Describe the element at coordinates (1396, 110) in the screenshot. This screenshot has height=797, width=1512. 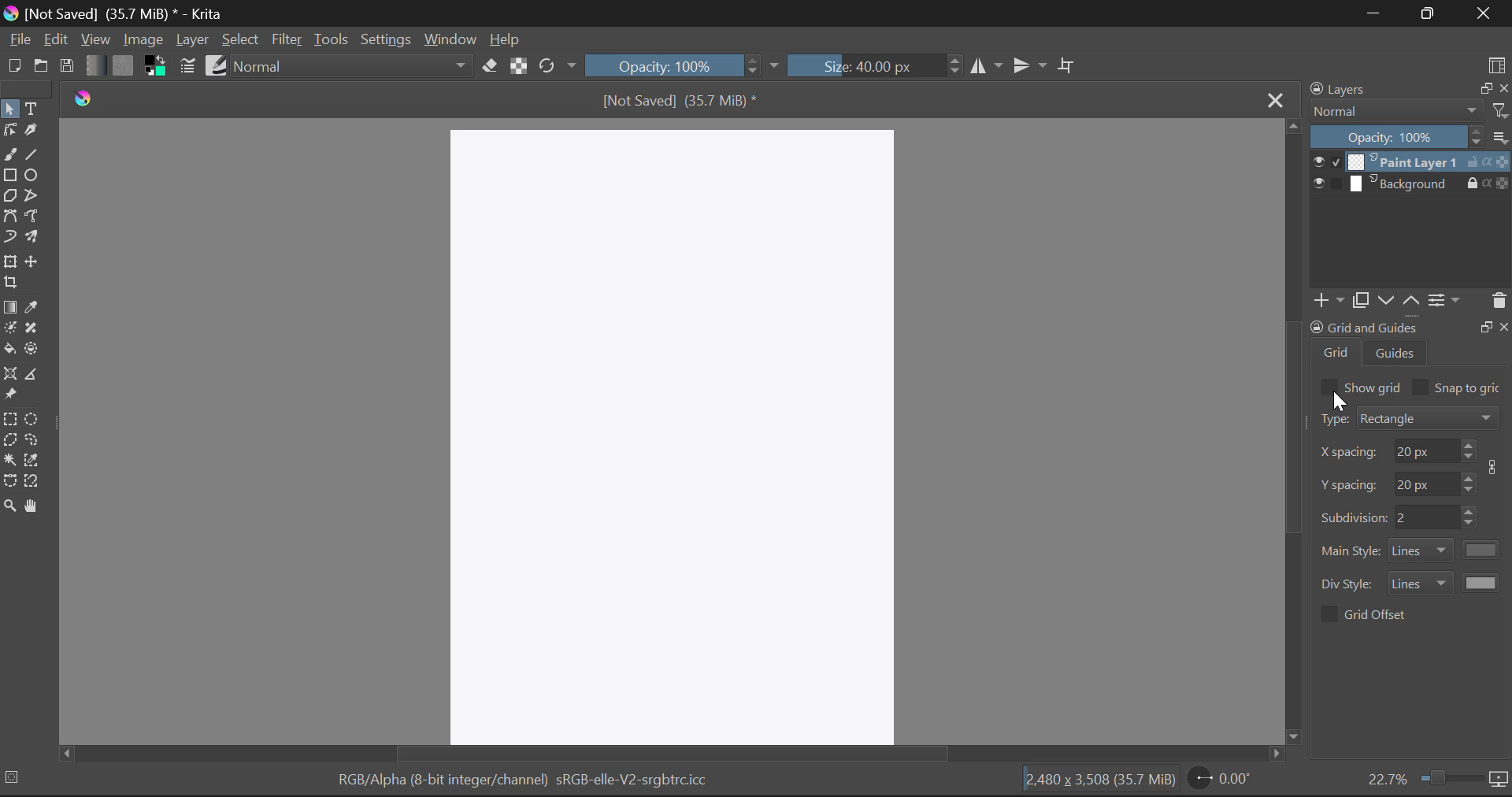
I see `normal` at that location.